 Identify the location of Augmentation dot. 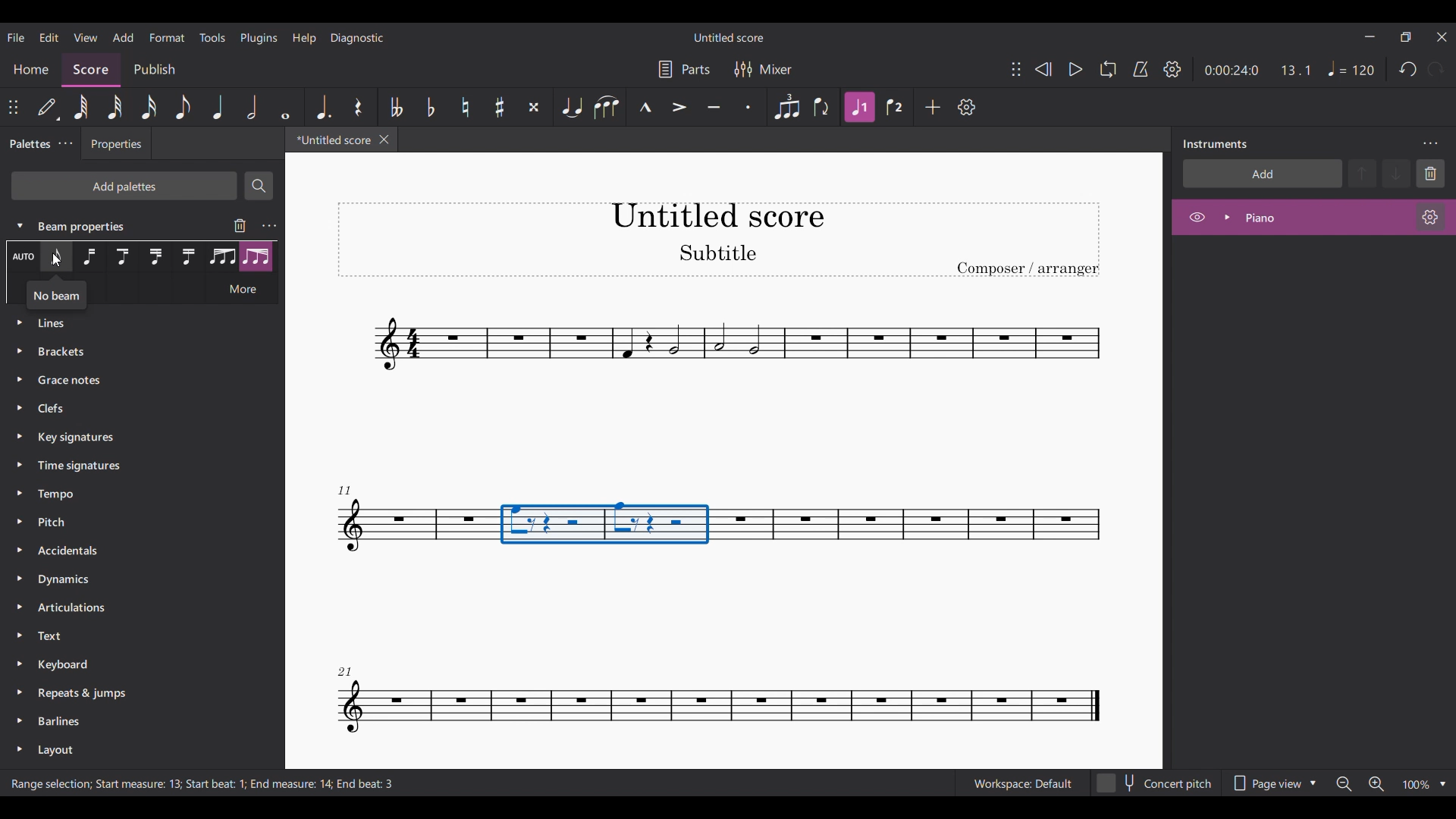
(322, 107).